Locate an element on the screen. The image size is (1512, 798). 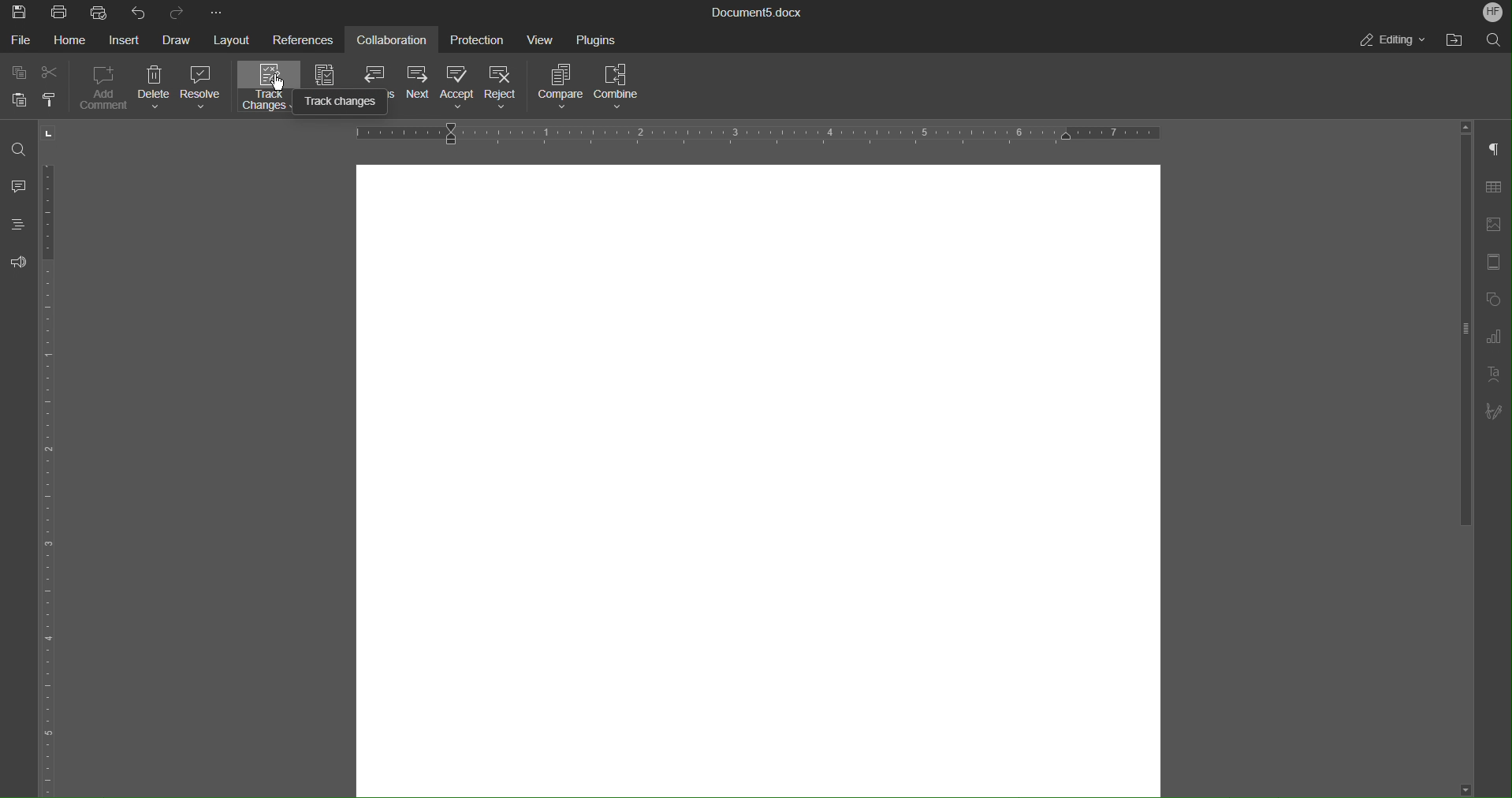
Copy Style is located at coordinates (52, 99).